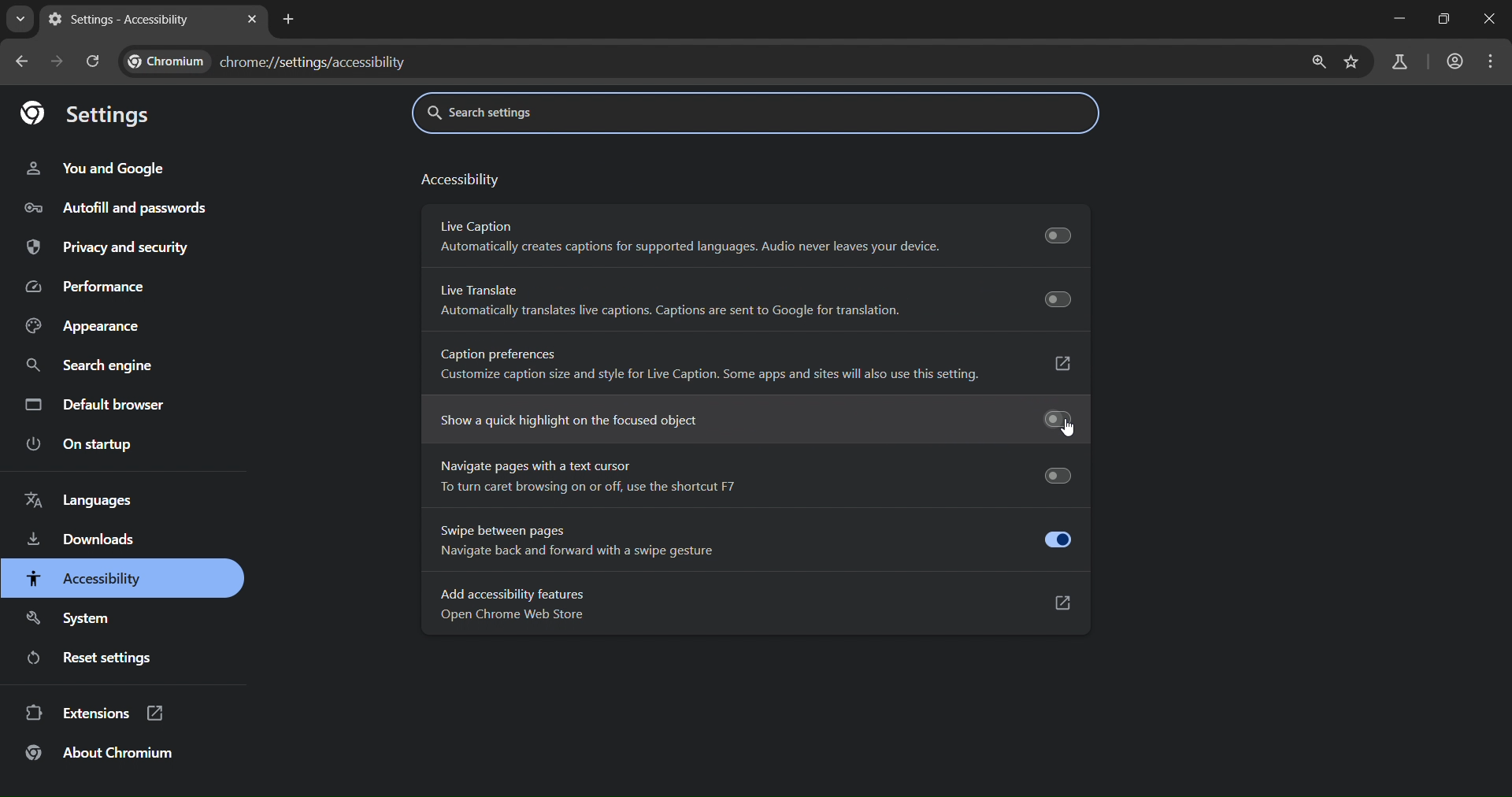 This screenshot has height=797, width=1512. Describe the element at coordinates (1062, 364) in the screenshot. I see `open` at that location.